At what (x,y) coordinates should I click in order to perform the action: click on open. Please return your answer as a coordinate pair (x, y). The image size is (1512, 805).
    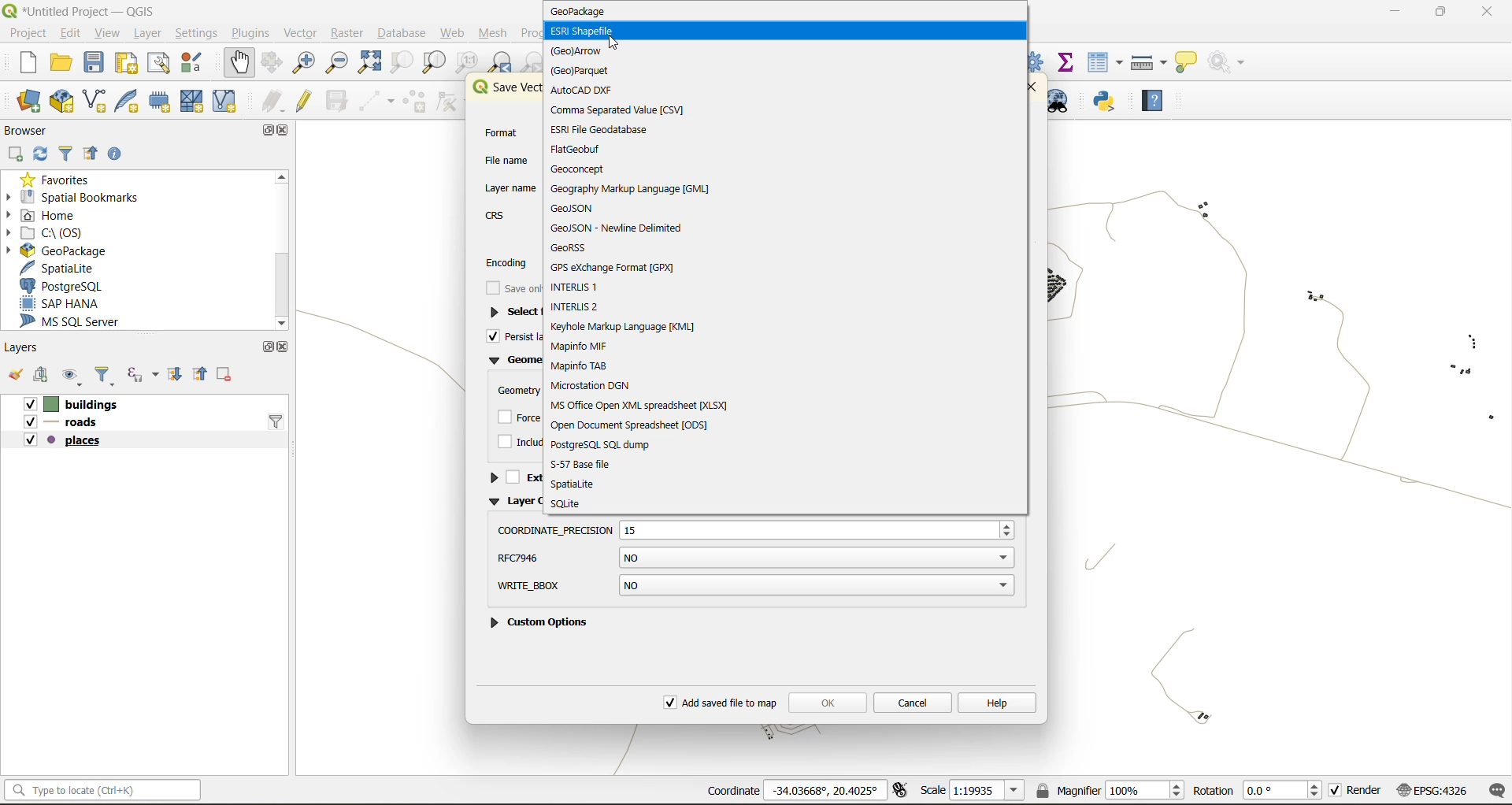
    Looking at the image, I should click on (65, 61).